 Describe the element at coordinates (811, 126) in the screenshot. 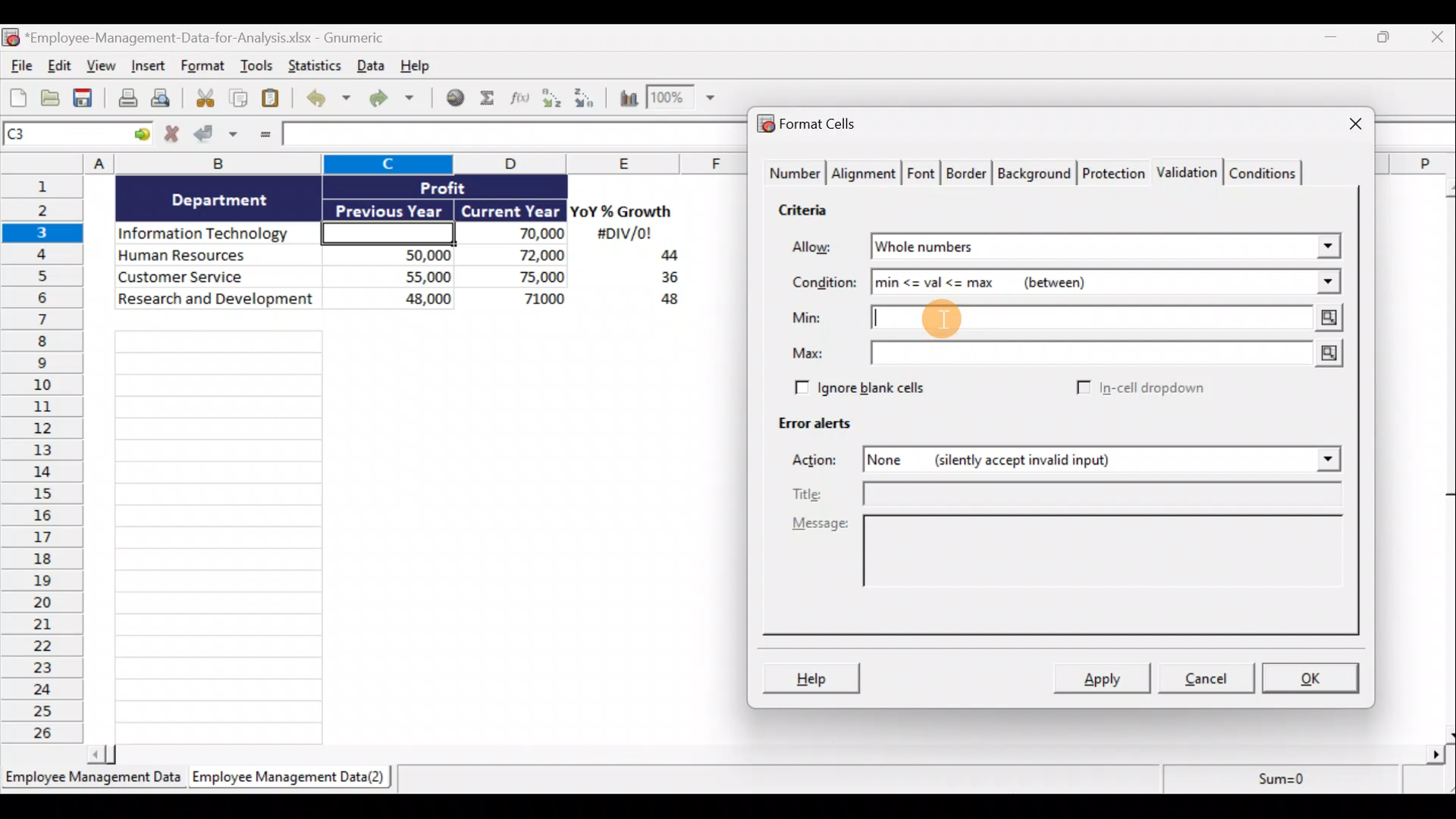

I see `Format cells` at that location.